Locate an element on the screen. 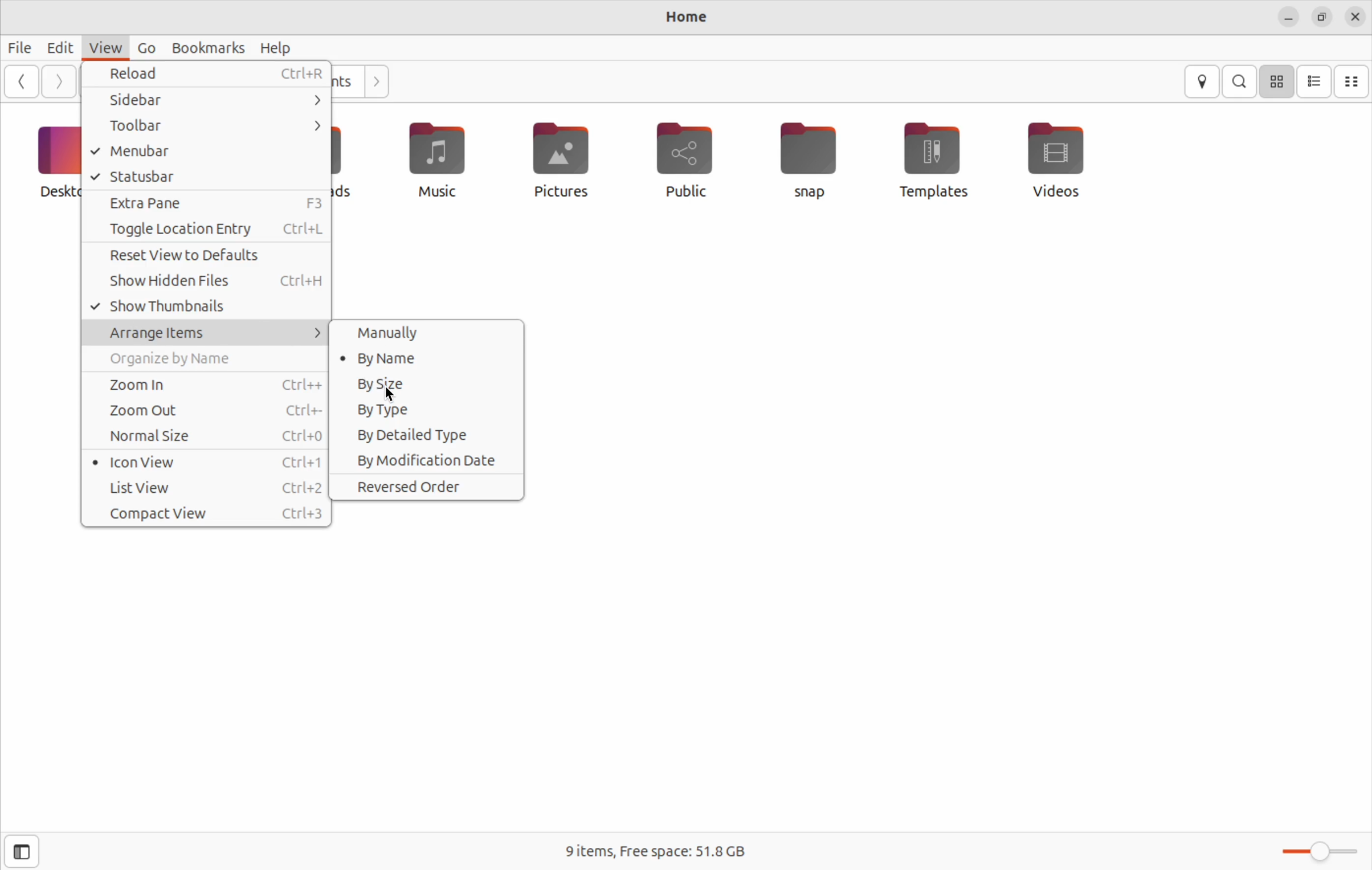 The image size is (1372, 870). close files is located at coordinates (1354, 18).